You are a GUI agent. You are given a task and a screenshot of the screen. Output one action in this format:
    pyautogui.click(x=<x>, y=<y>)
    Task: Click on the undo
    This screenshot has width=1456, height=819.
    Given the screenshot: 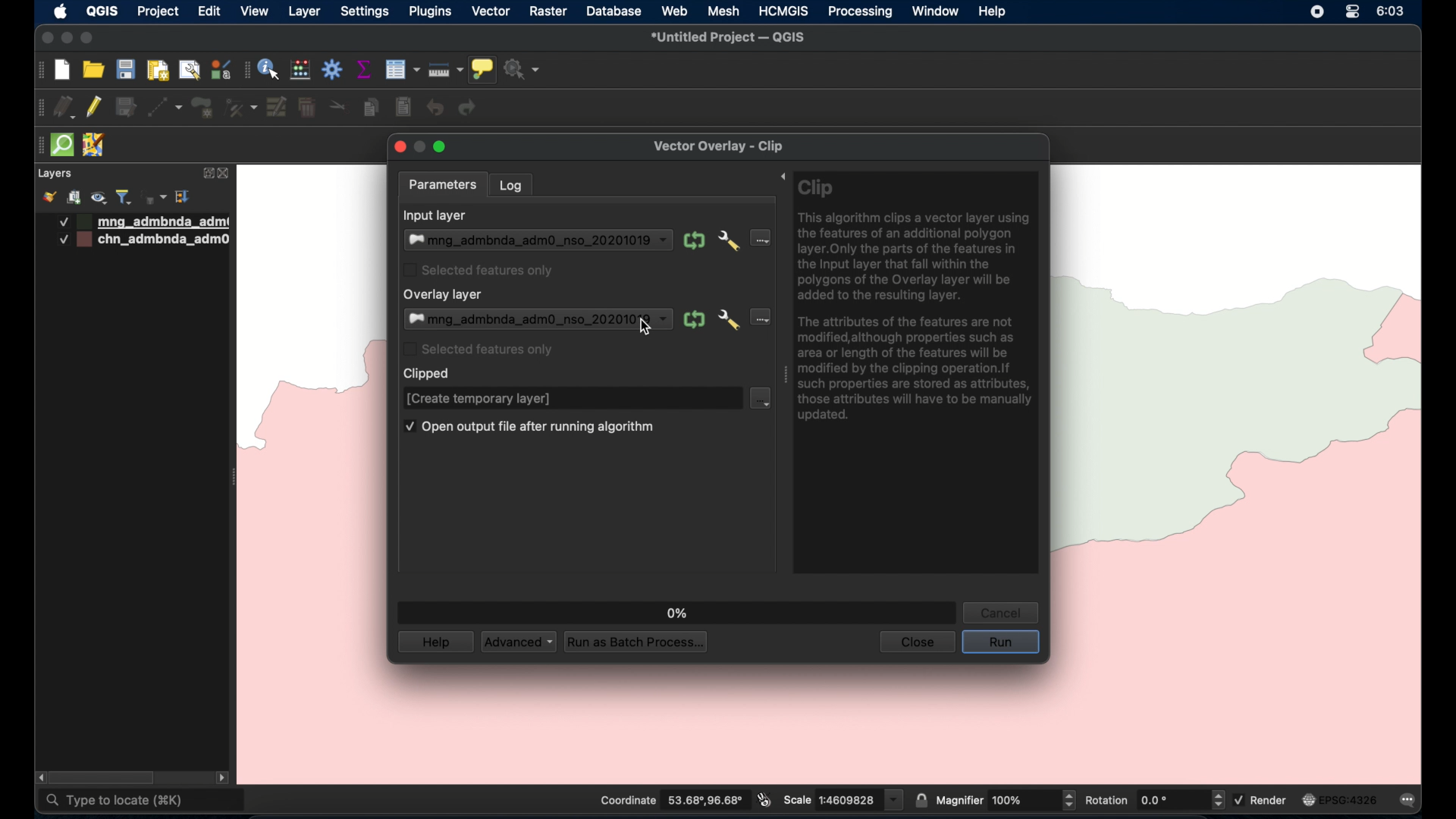 What is the action you would take?
    pyautogui.click(x=436, y=108)
    